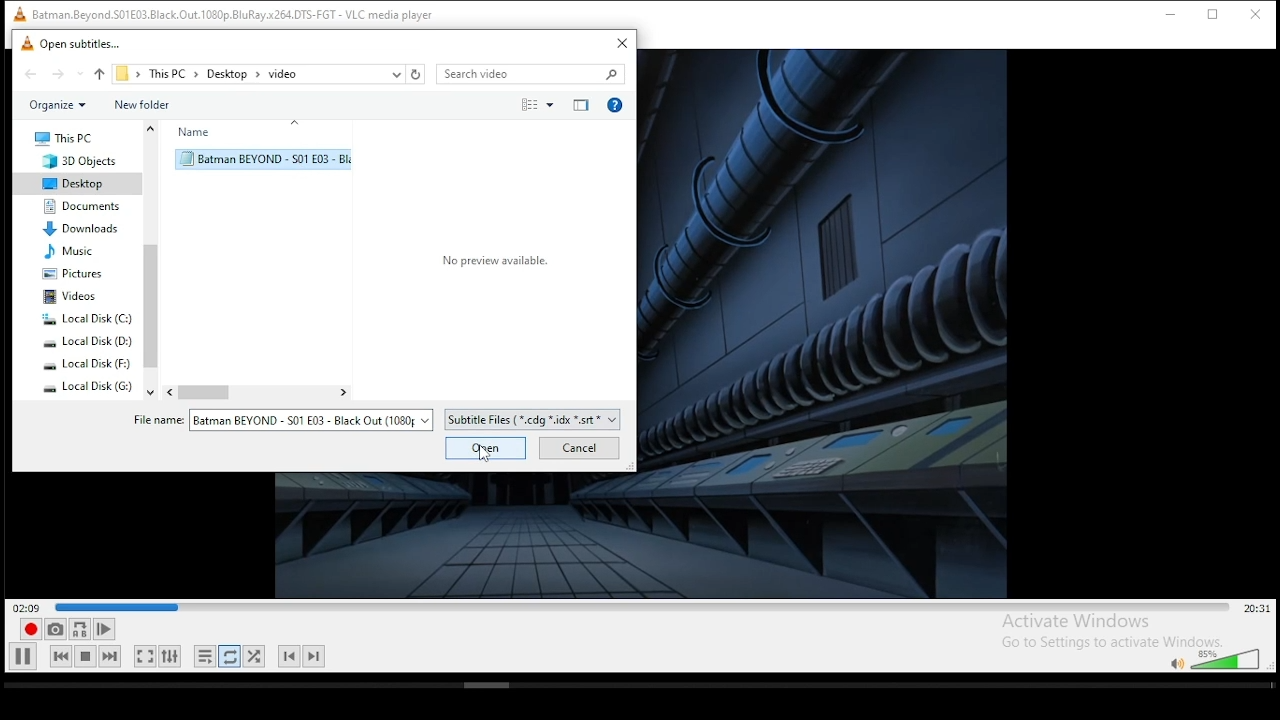 This screenshot has height=720, width=1280. What do you see at coordinates (30, 75) in the screenshot?
I see `back` at bounding box center [30, 75].